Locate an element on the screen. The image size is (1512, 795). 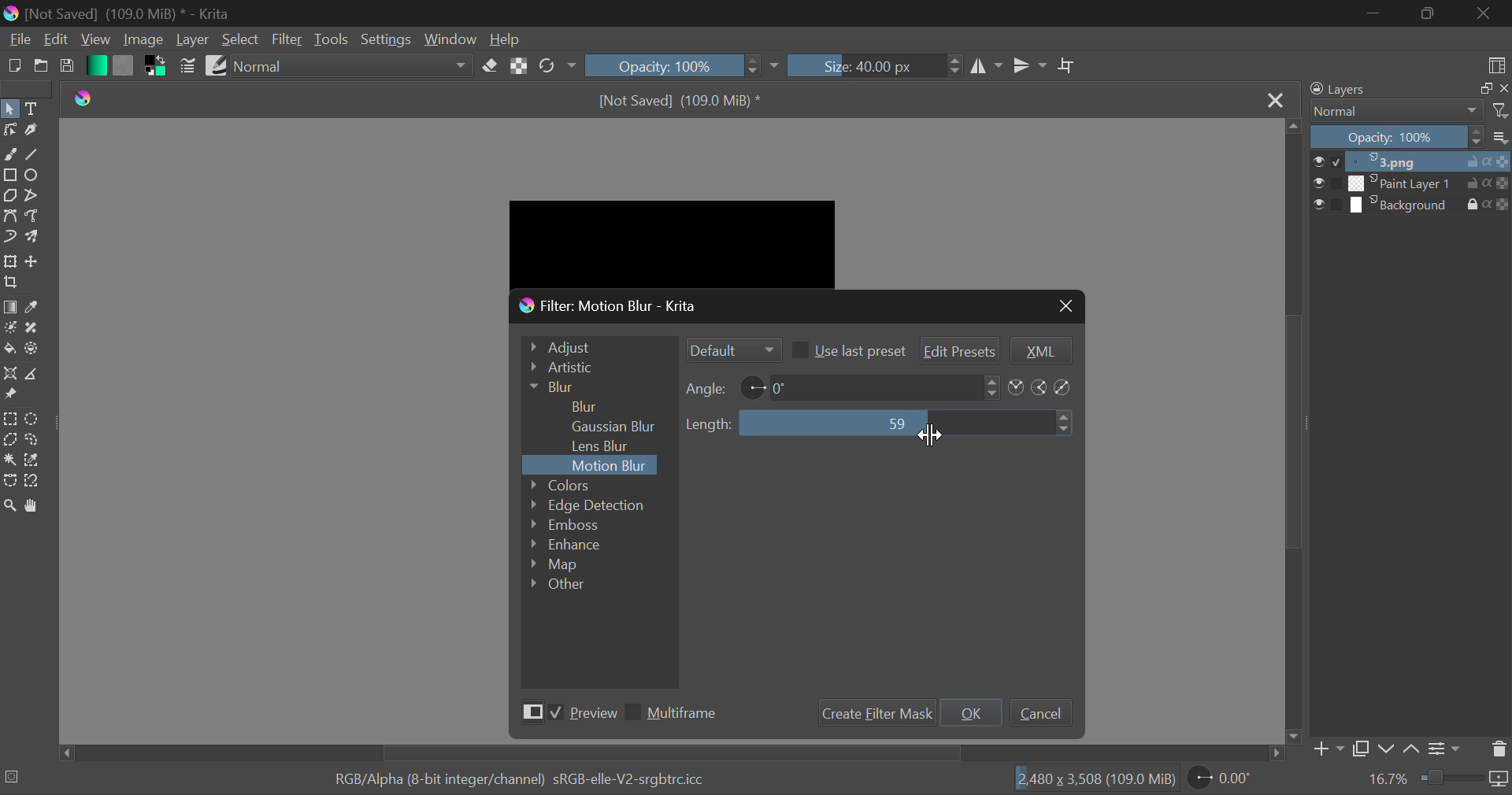
Zoom is located at coordinates (13, 508).